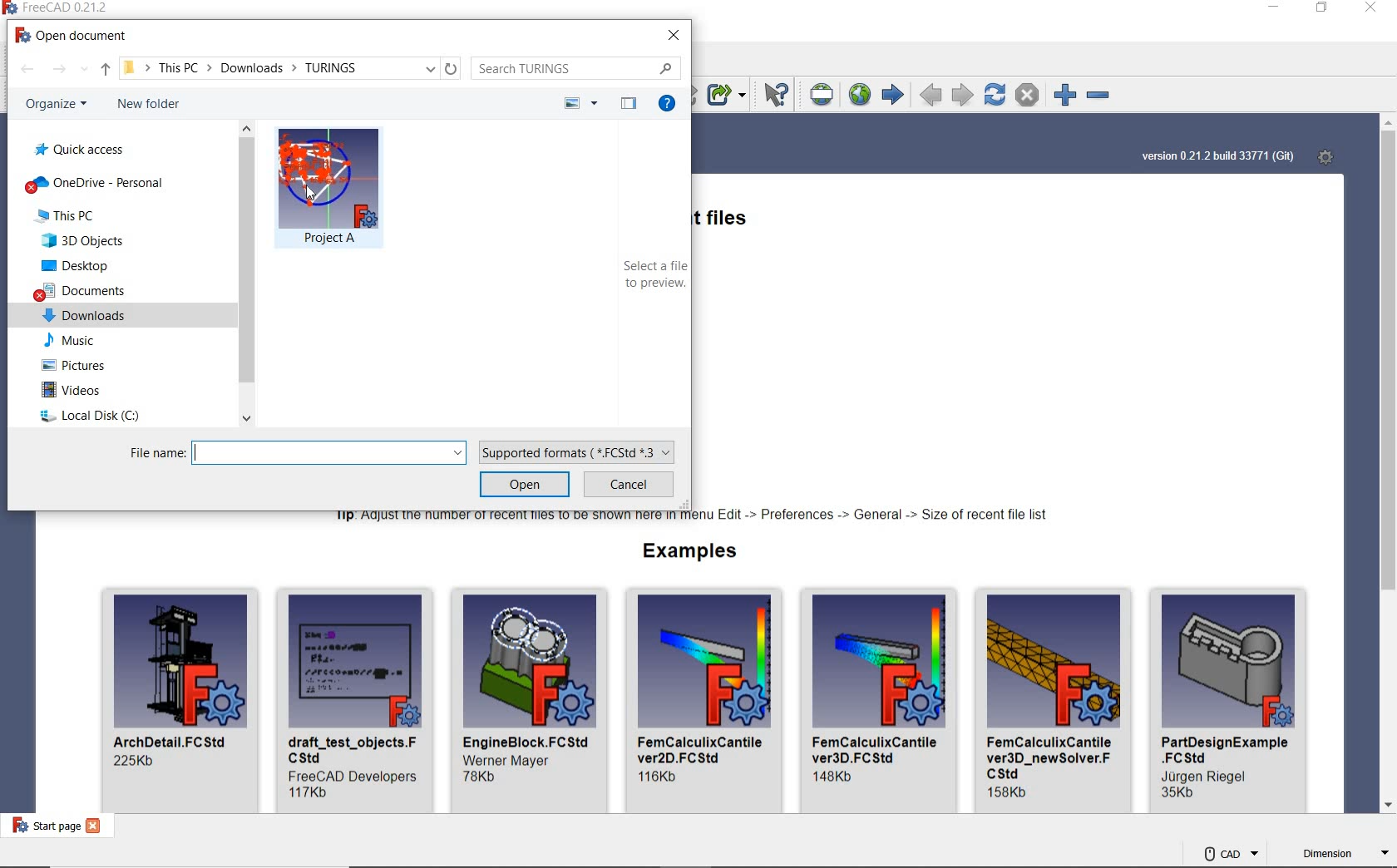 The height and width of the screenshot is (868, 1397). I want to click on one drive personal, so click(99, 184).